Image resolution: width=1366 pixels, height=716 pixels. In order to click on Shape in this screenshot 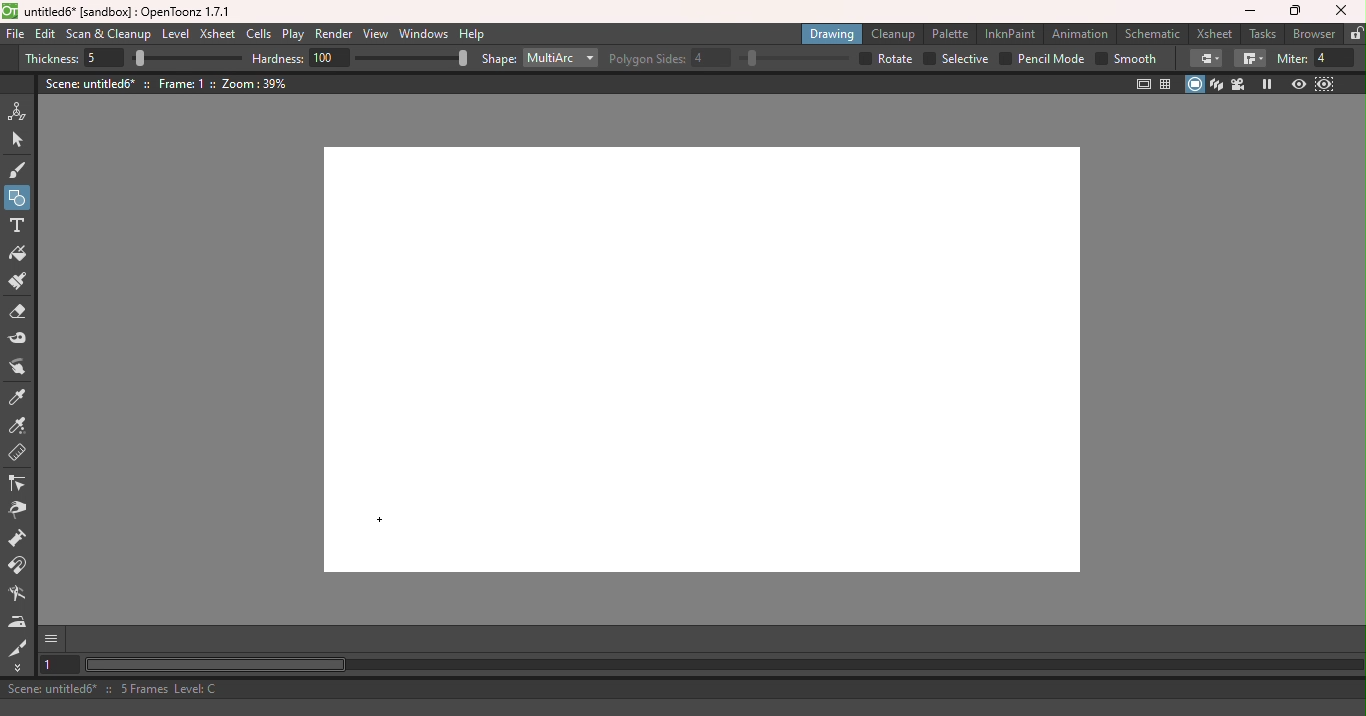, I will do `click(497, 60)`.